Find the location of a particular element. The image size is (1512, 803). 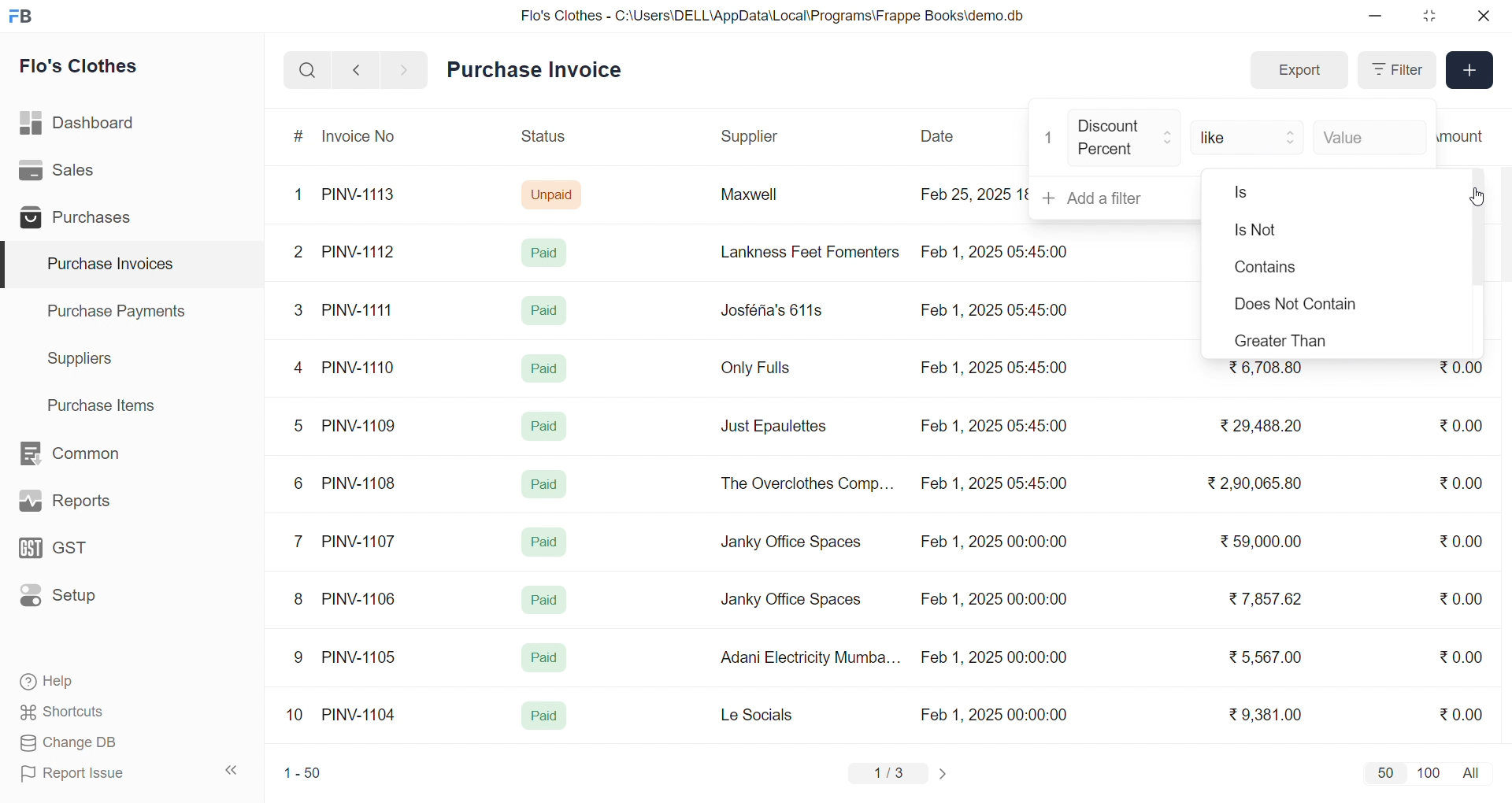

Status is located at coordinates (542, 139).